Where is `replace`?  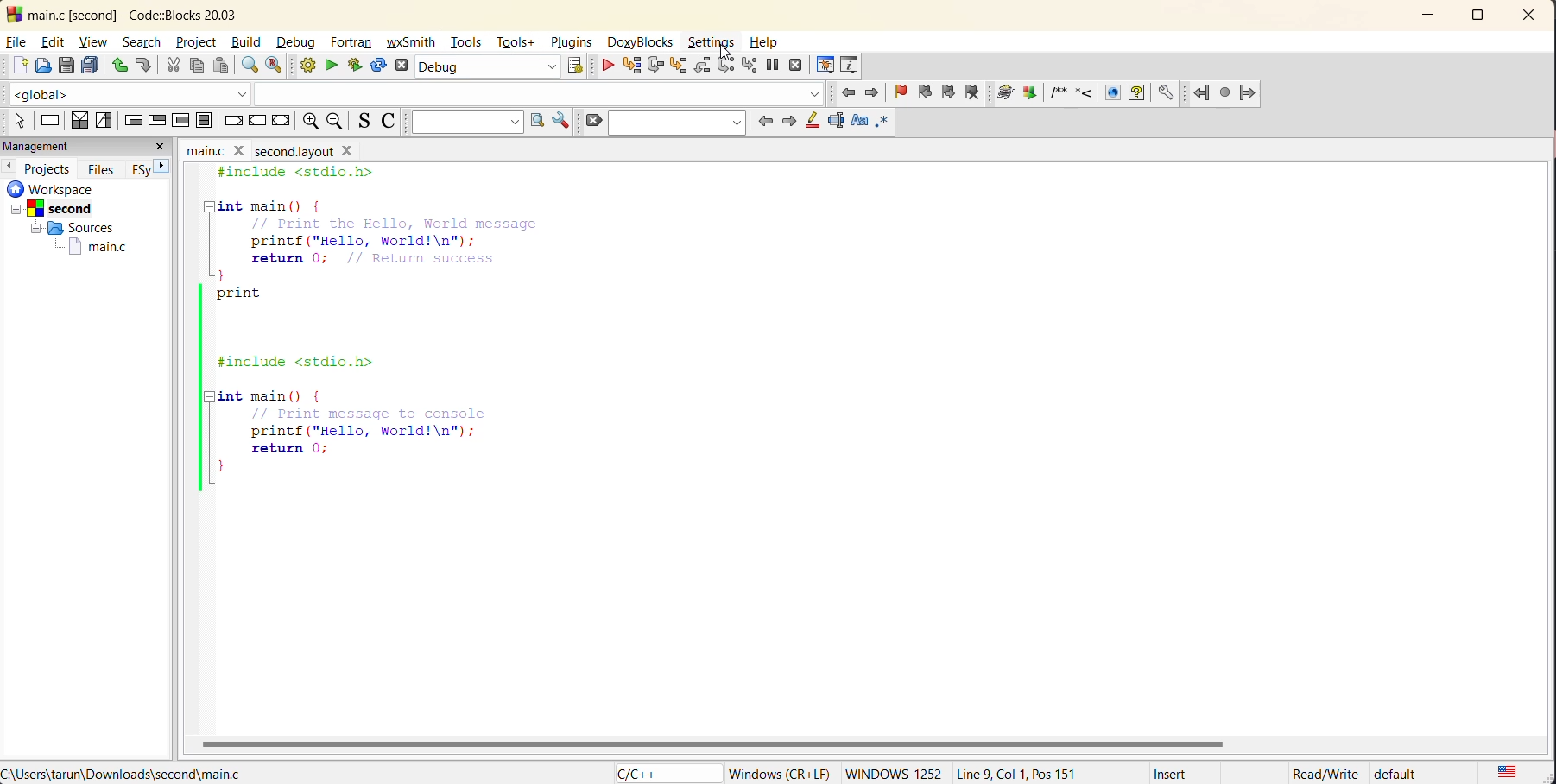 replace is located at coordinates (281, 68).